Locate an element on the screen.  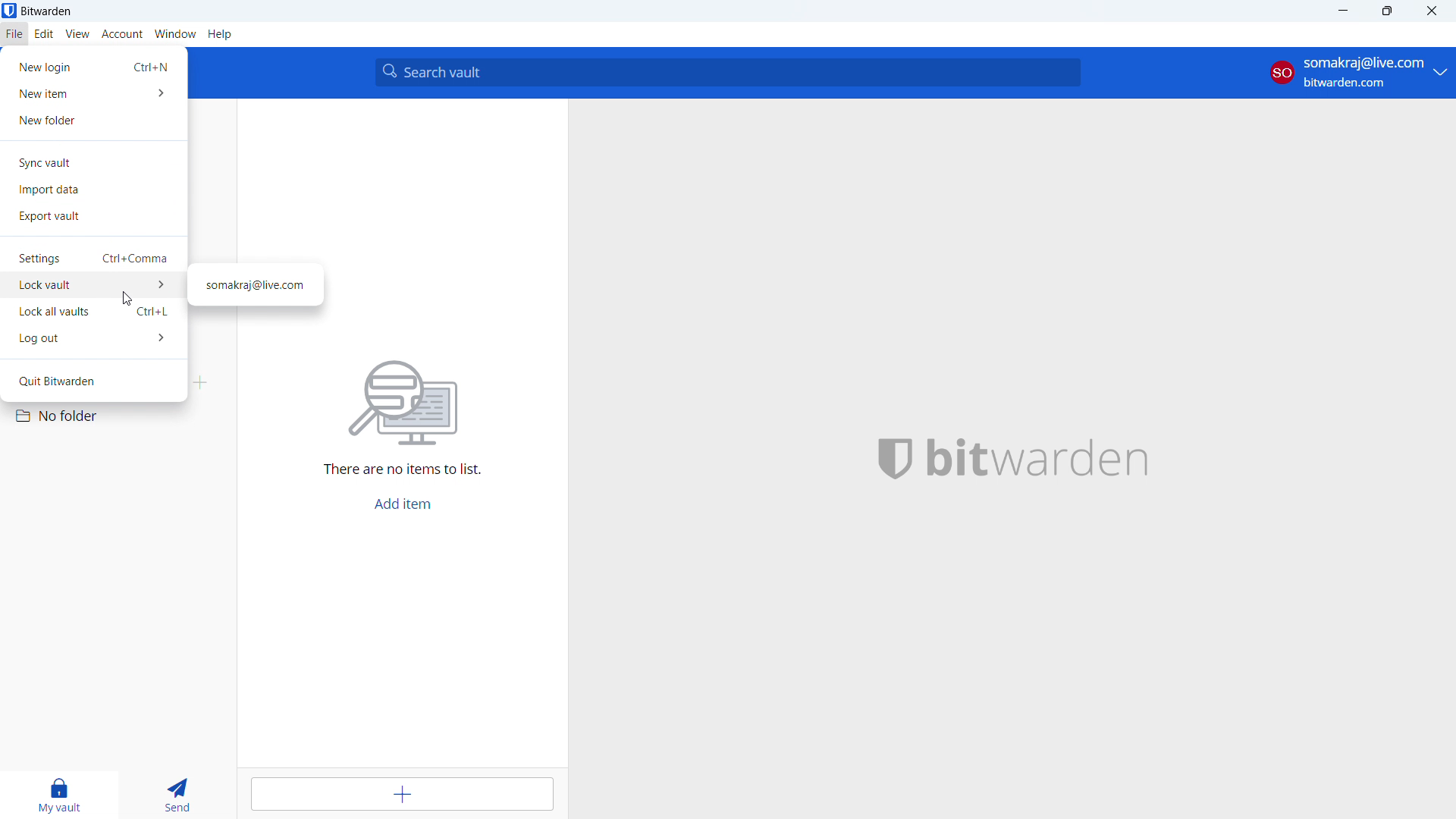
log out is located at coordinates (93, 338).